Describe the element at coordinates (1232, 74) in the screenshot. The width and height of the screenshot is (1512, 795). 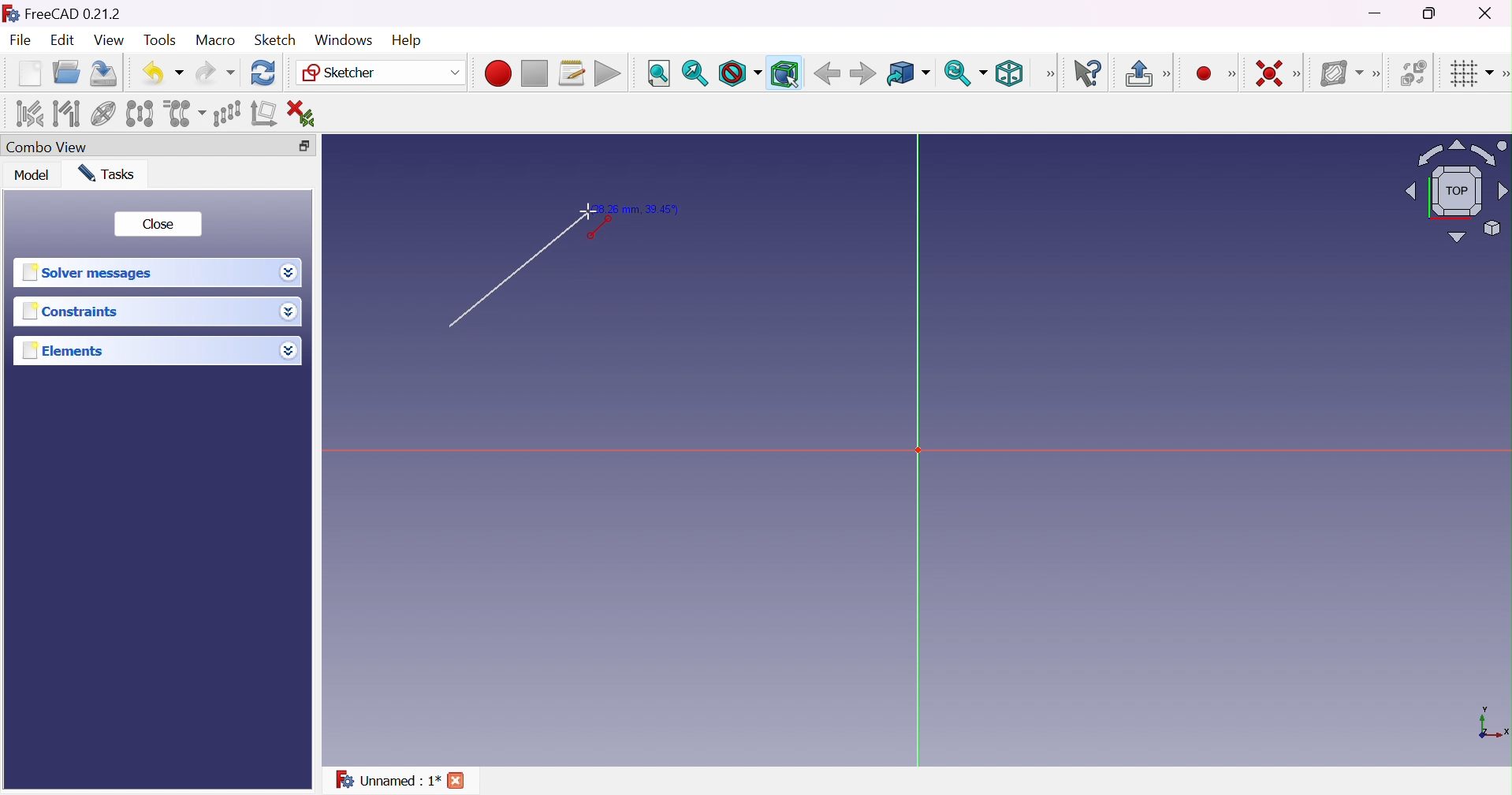
I see `[Sketcher geometrics]` at that location.